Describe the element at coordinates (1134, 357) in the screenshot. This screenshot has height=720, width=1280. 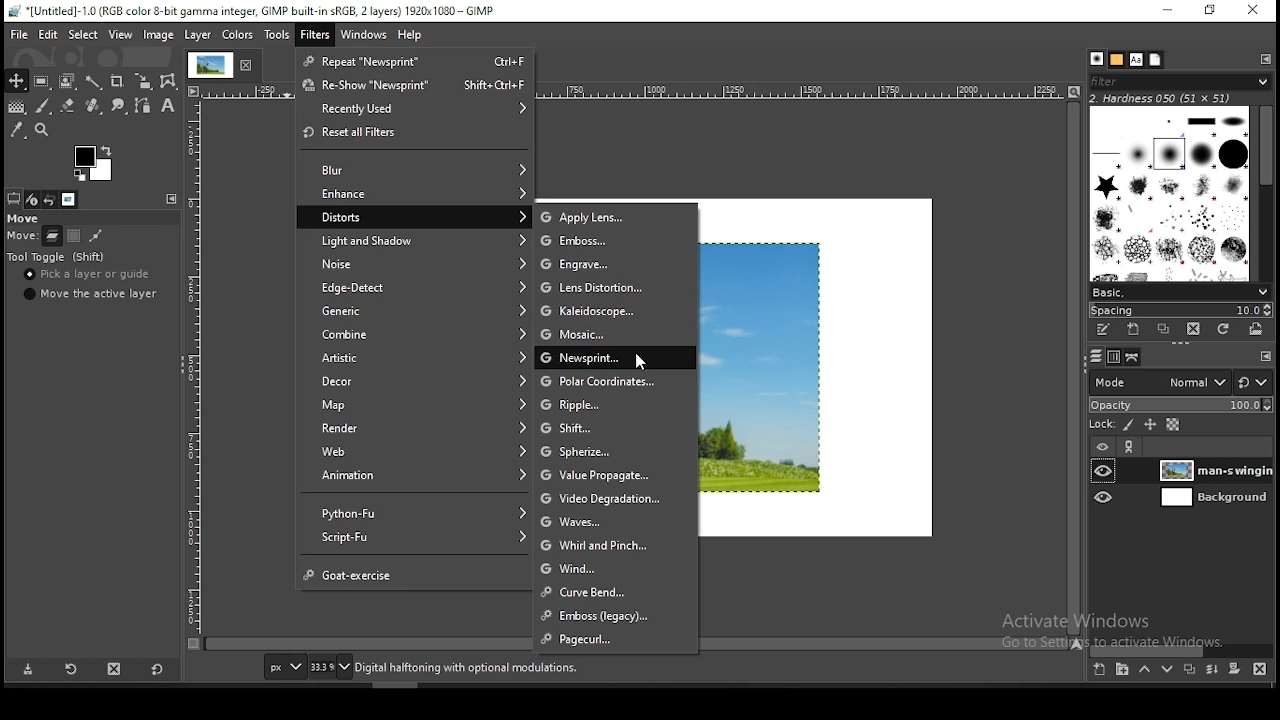
I see `paths` at that location.